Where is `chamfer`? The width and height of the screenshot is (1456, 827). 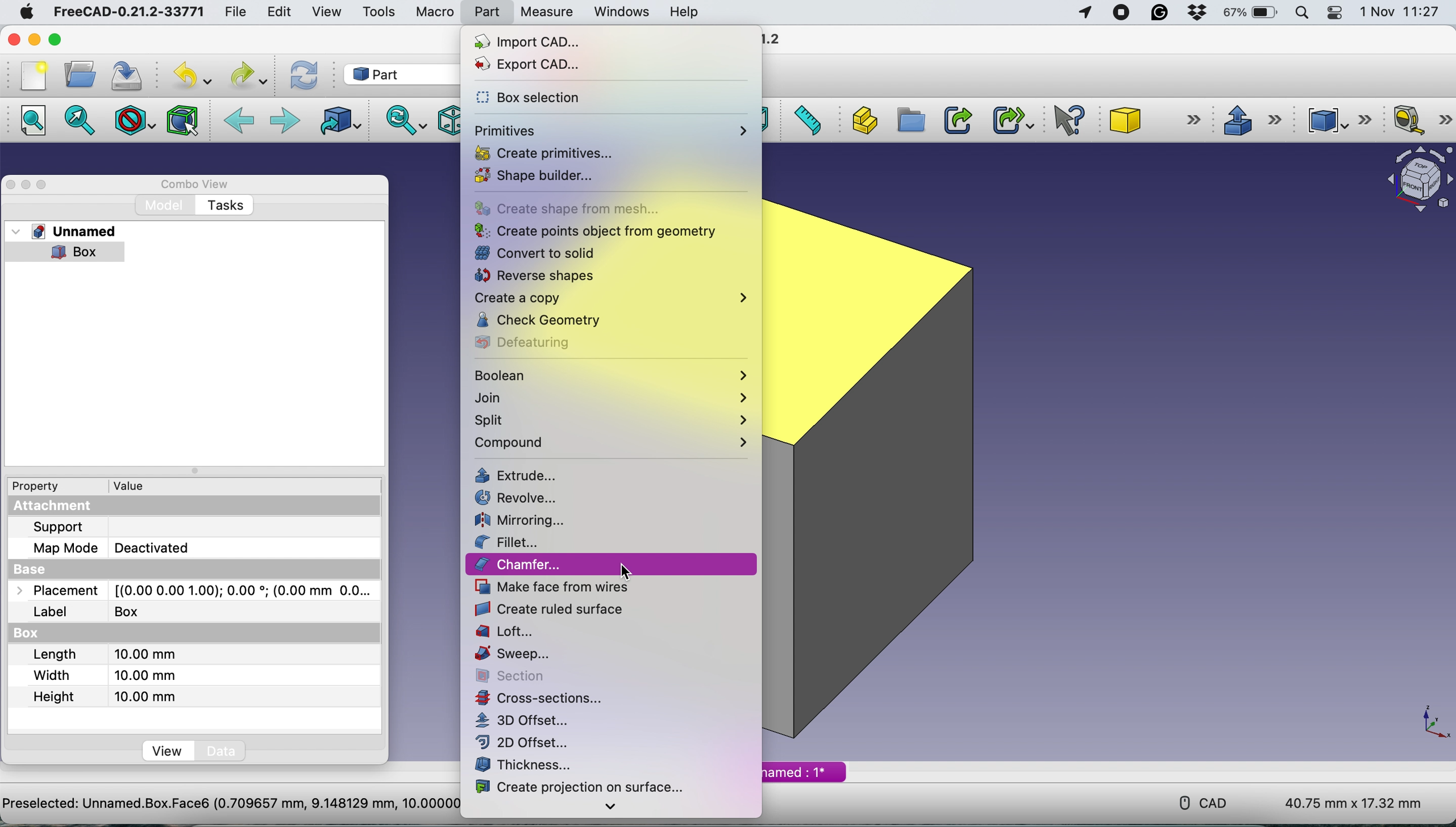 chamfer is located at coordinates (609, 564).